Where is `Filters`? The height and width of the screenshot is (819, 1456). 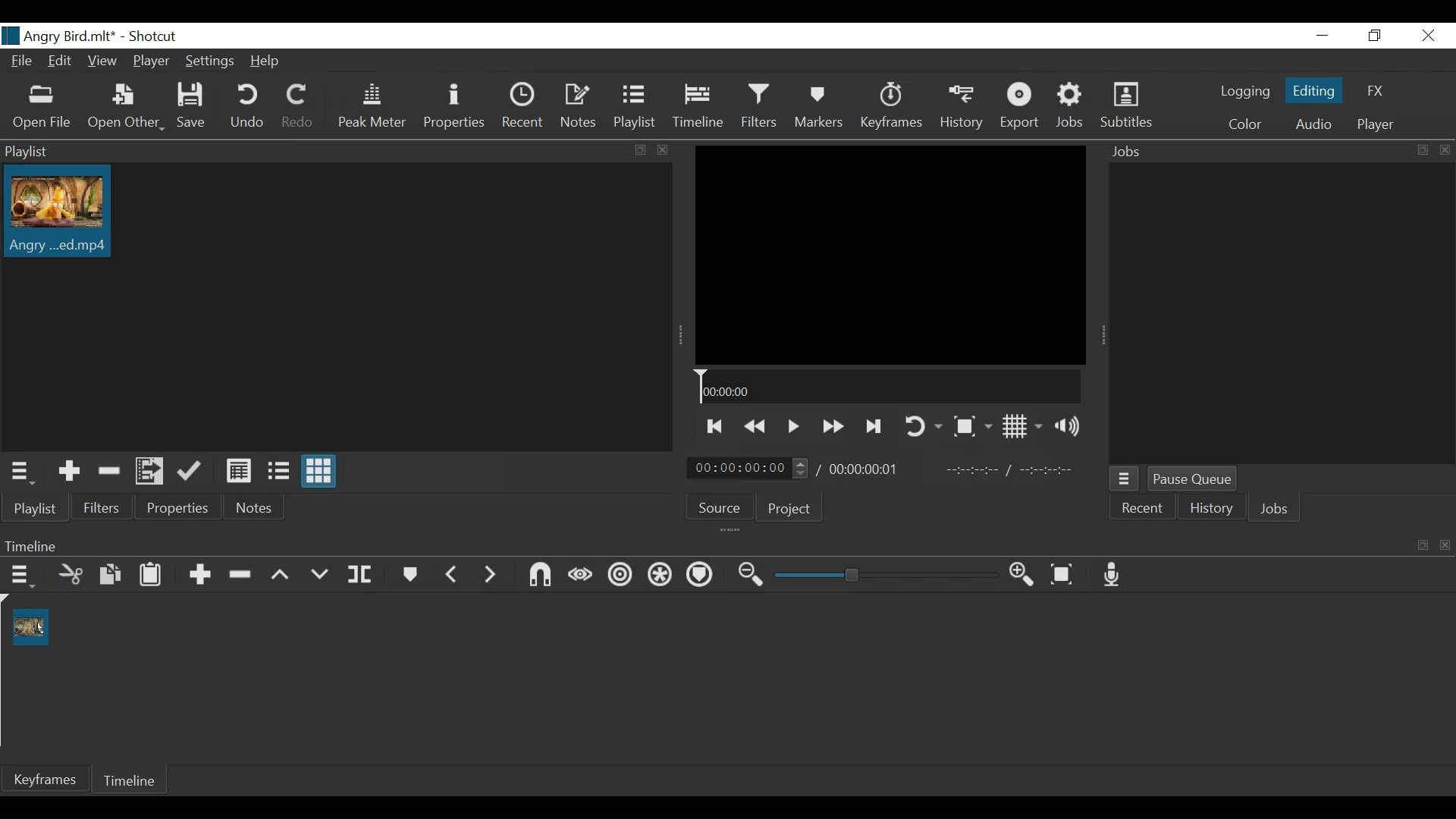
Filters is located at coordinates (759, 106).